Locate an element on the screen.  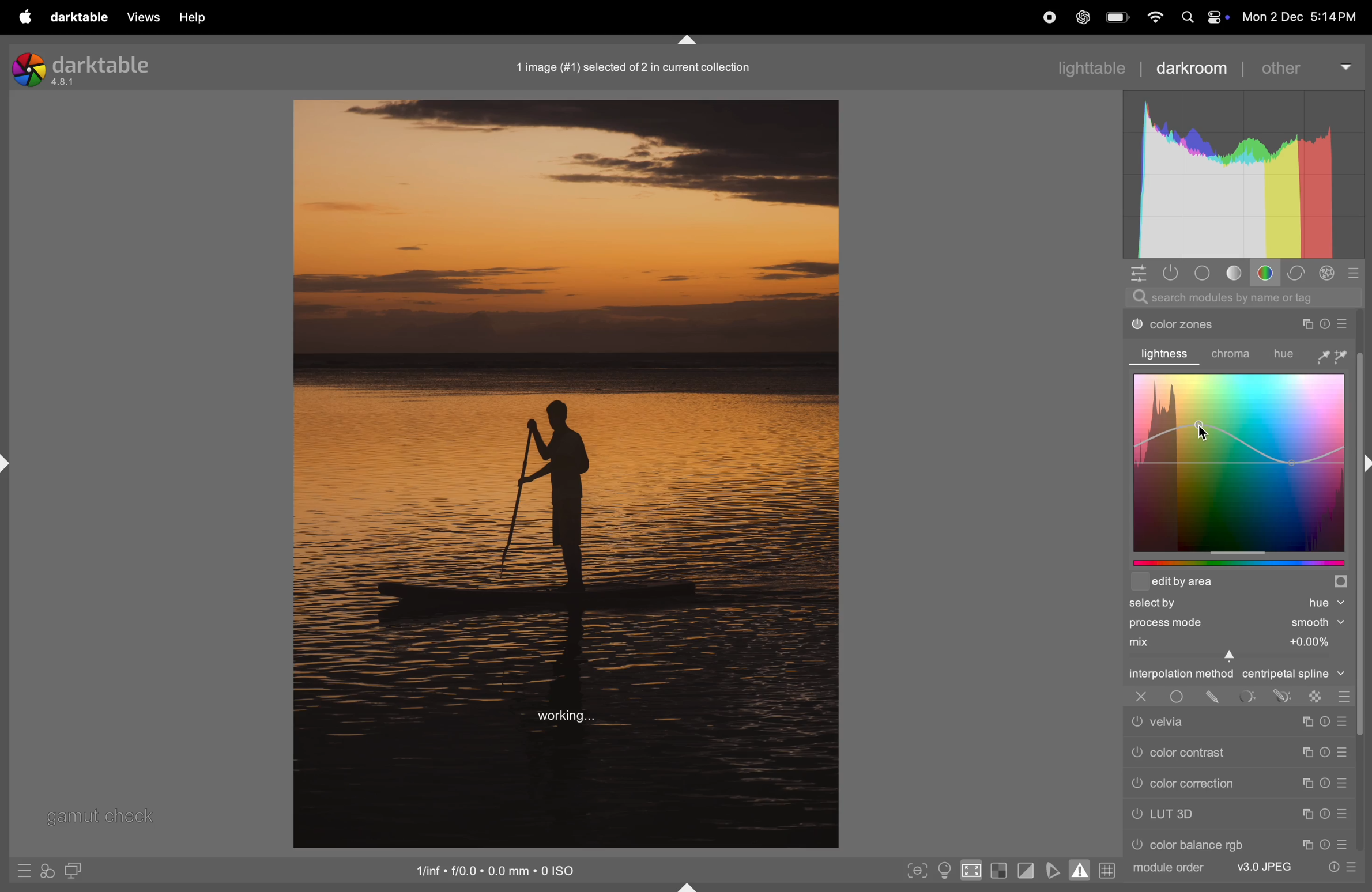
Cursor is located at coordinates (1232, 657).